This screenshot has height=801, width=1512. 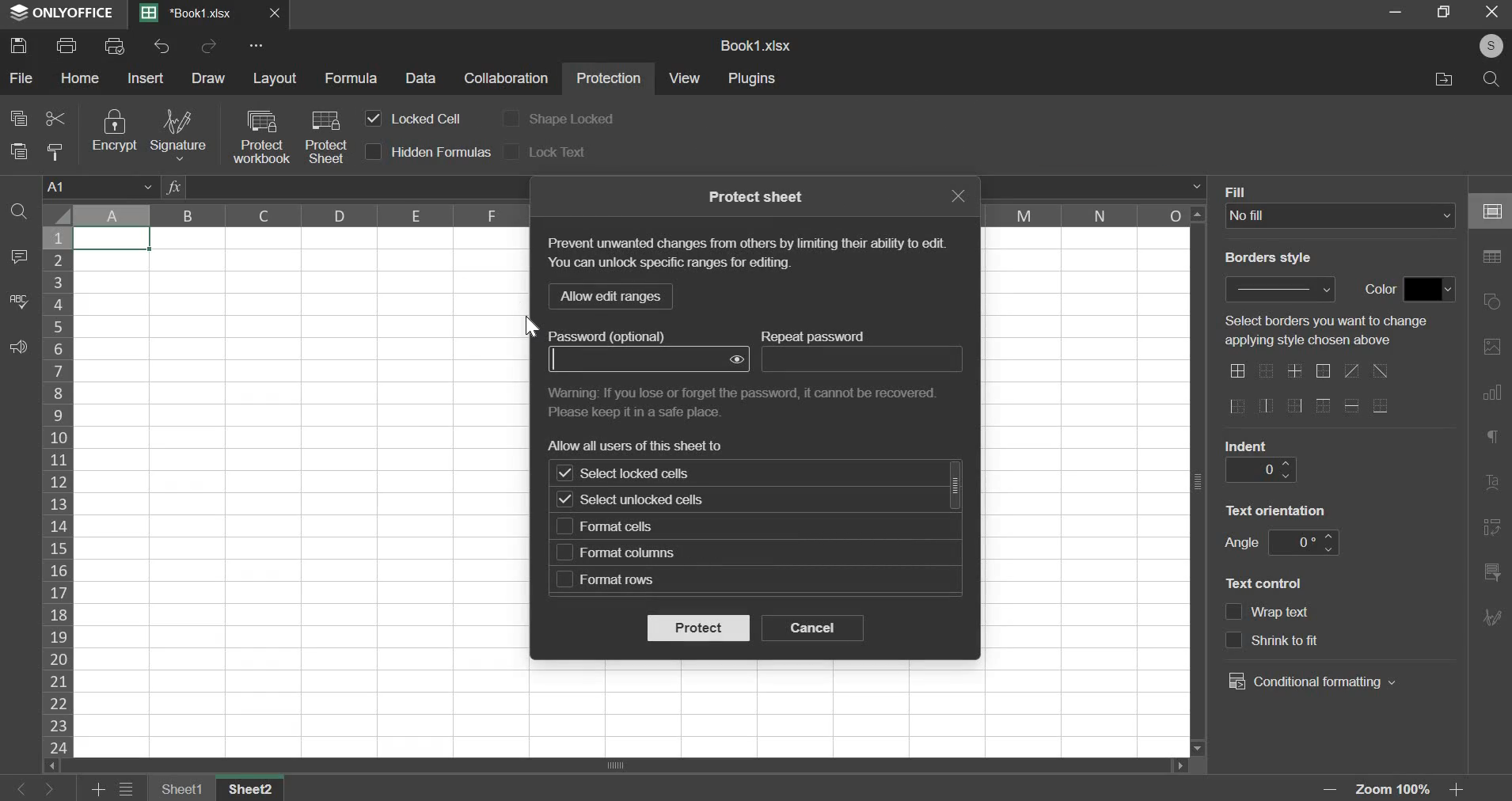 I want to click on print, so click(x=67, y=44).